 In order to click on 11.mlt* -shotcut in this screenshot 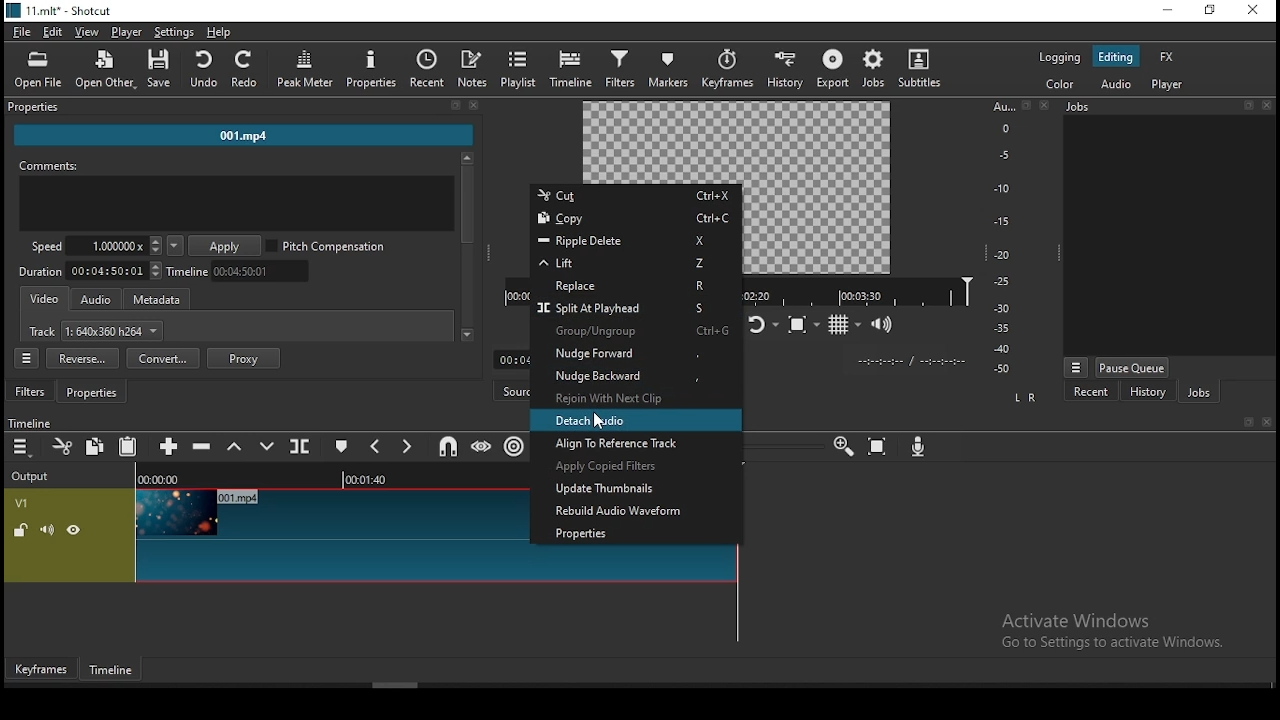, I will do `click(62, 11)`.